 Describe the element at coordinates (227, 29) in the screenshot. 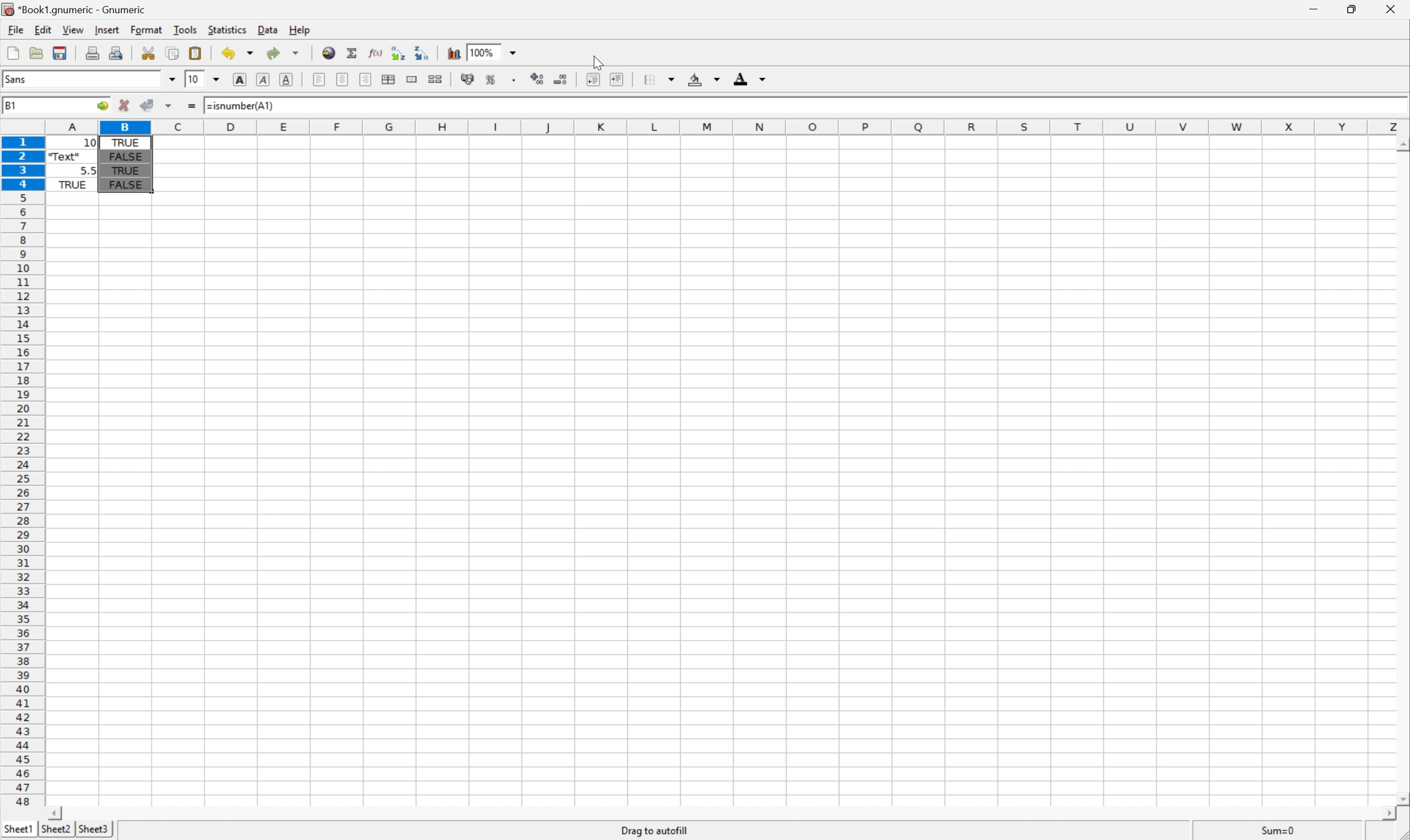

I see `Statistics` at that location.